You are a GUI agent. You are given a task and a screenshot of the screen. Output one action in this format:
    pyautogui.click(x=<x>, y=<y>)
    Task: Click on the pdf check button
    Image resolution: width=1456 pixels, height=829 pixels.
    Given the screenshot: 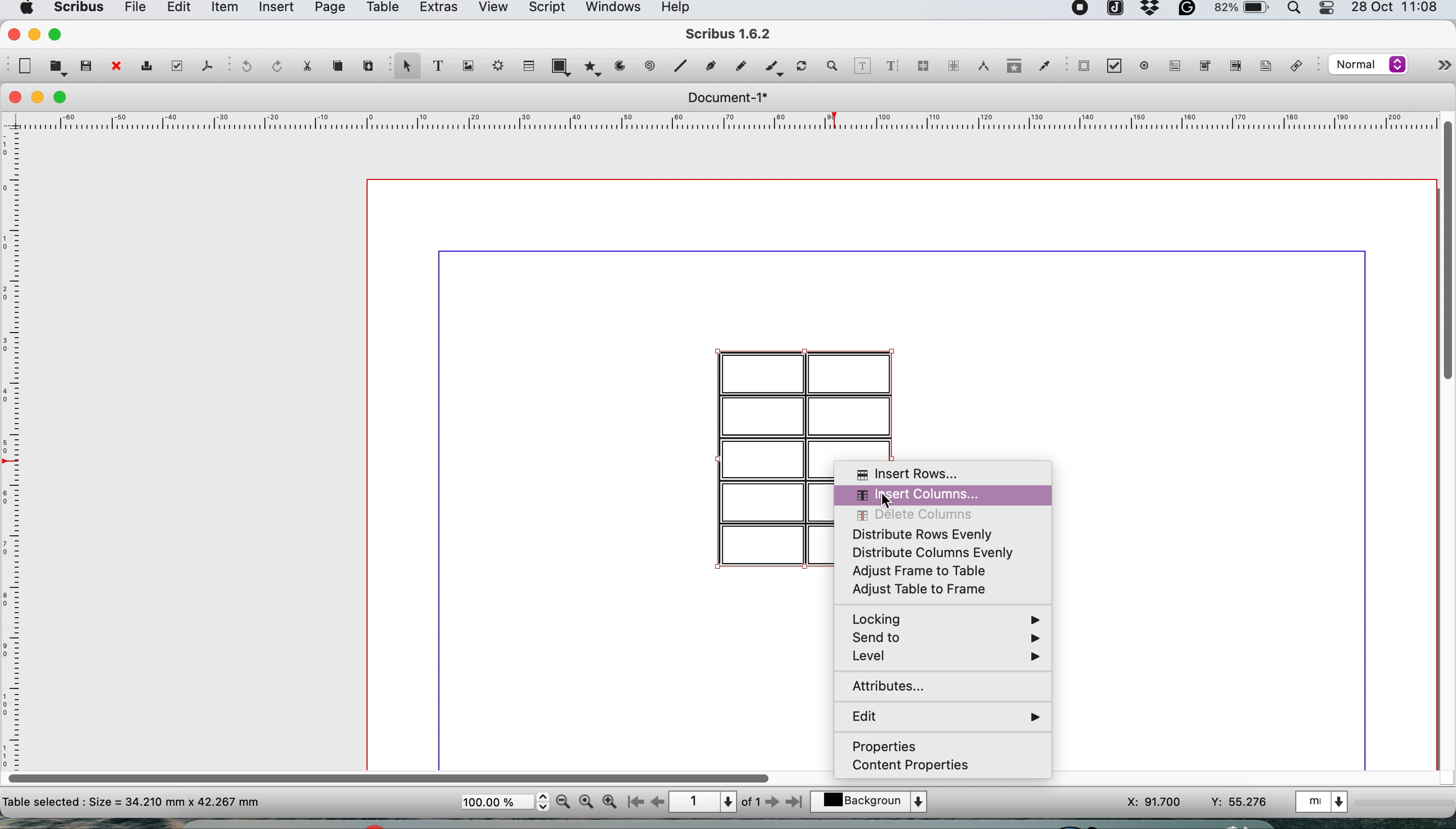 What is the action you would take?
    pyautogui.click(x=1084, y=65)
    